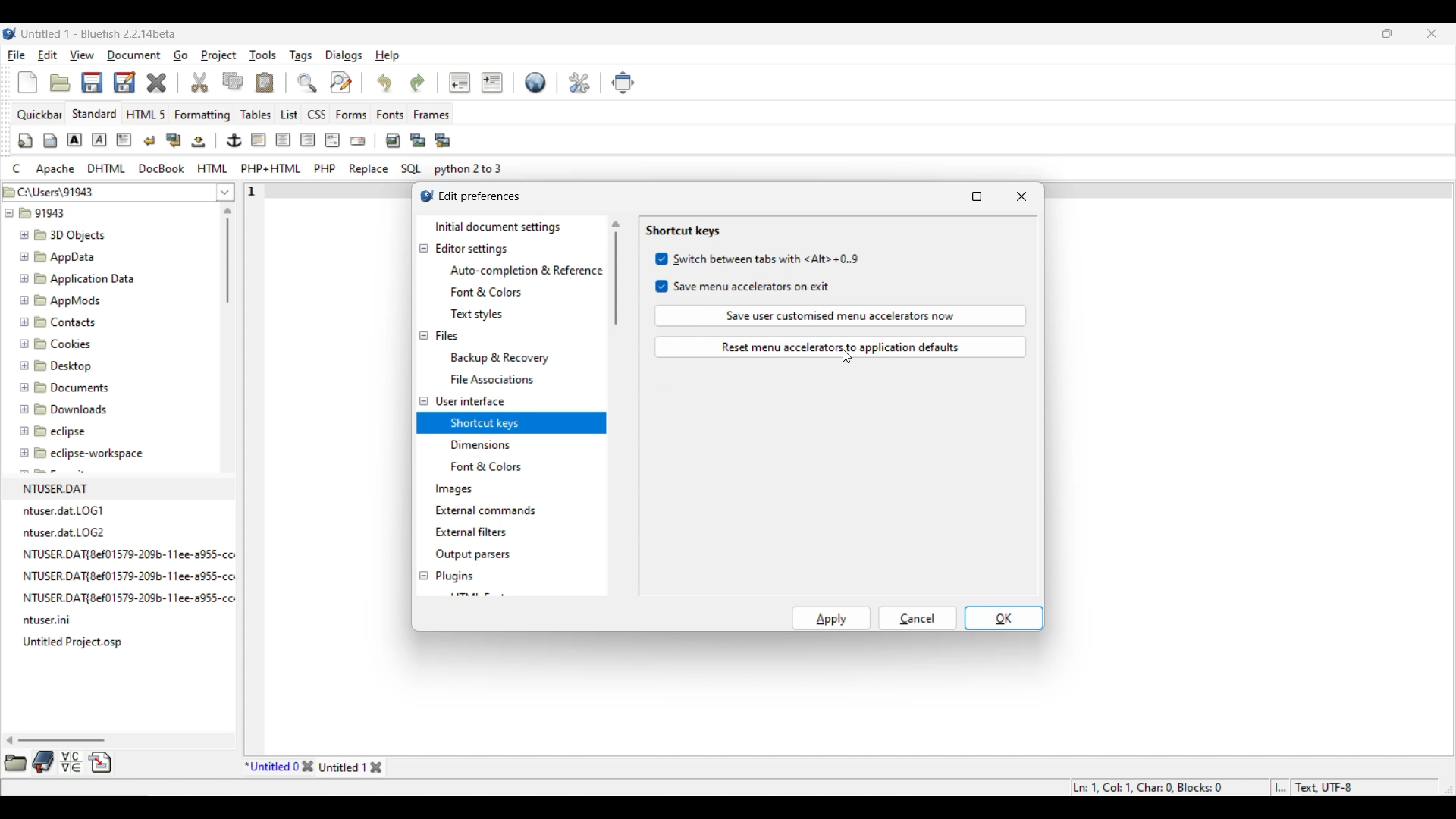 This screenshot has height=819, width=1456. I want to click on AppData, so click(61, 256).